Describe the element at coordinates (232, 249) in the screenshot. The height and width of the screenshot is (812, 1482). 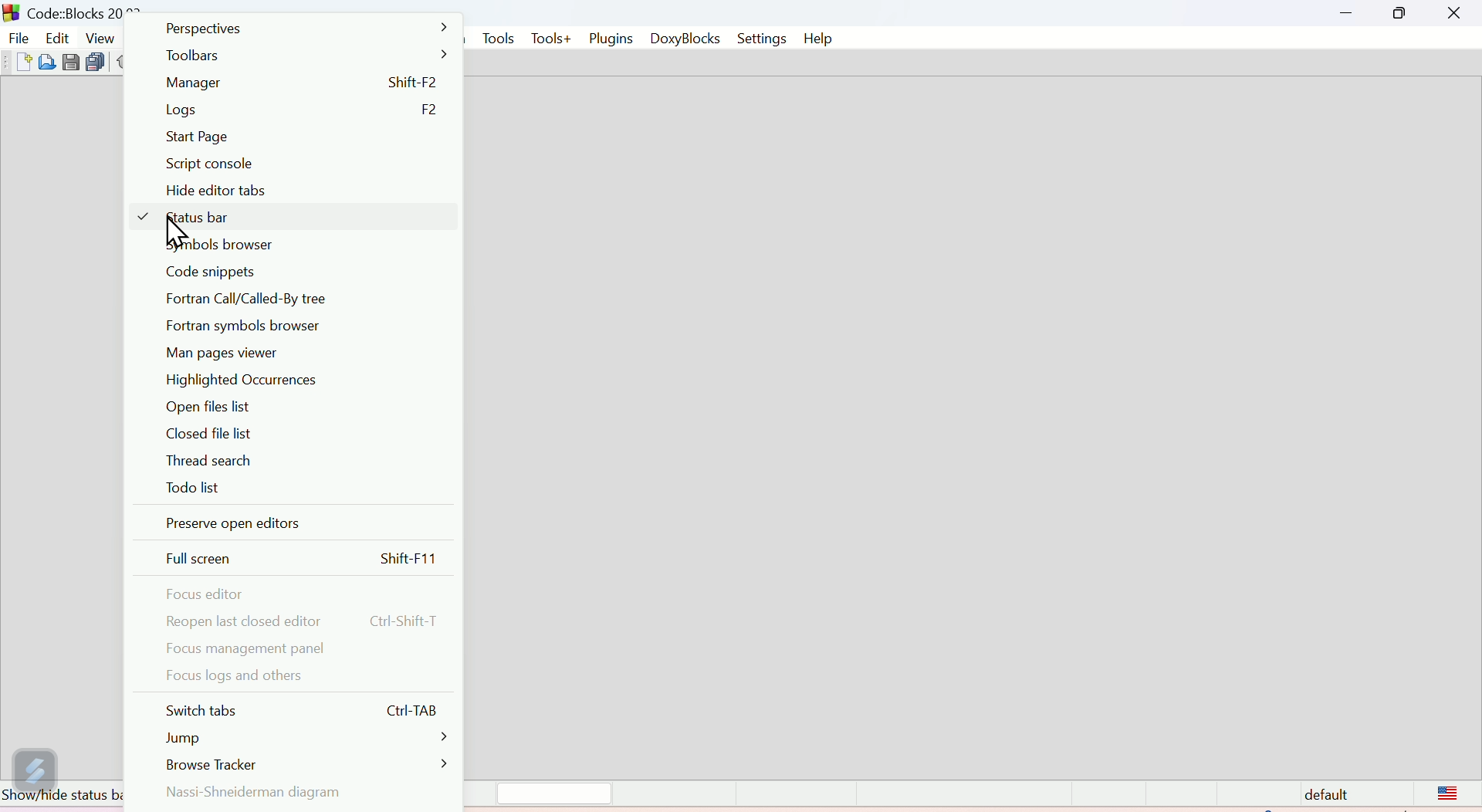
I see `Symbol browser` at that location.